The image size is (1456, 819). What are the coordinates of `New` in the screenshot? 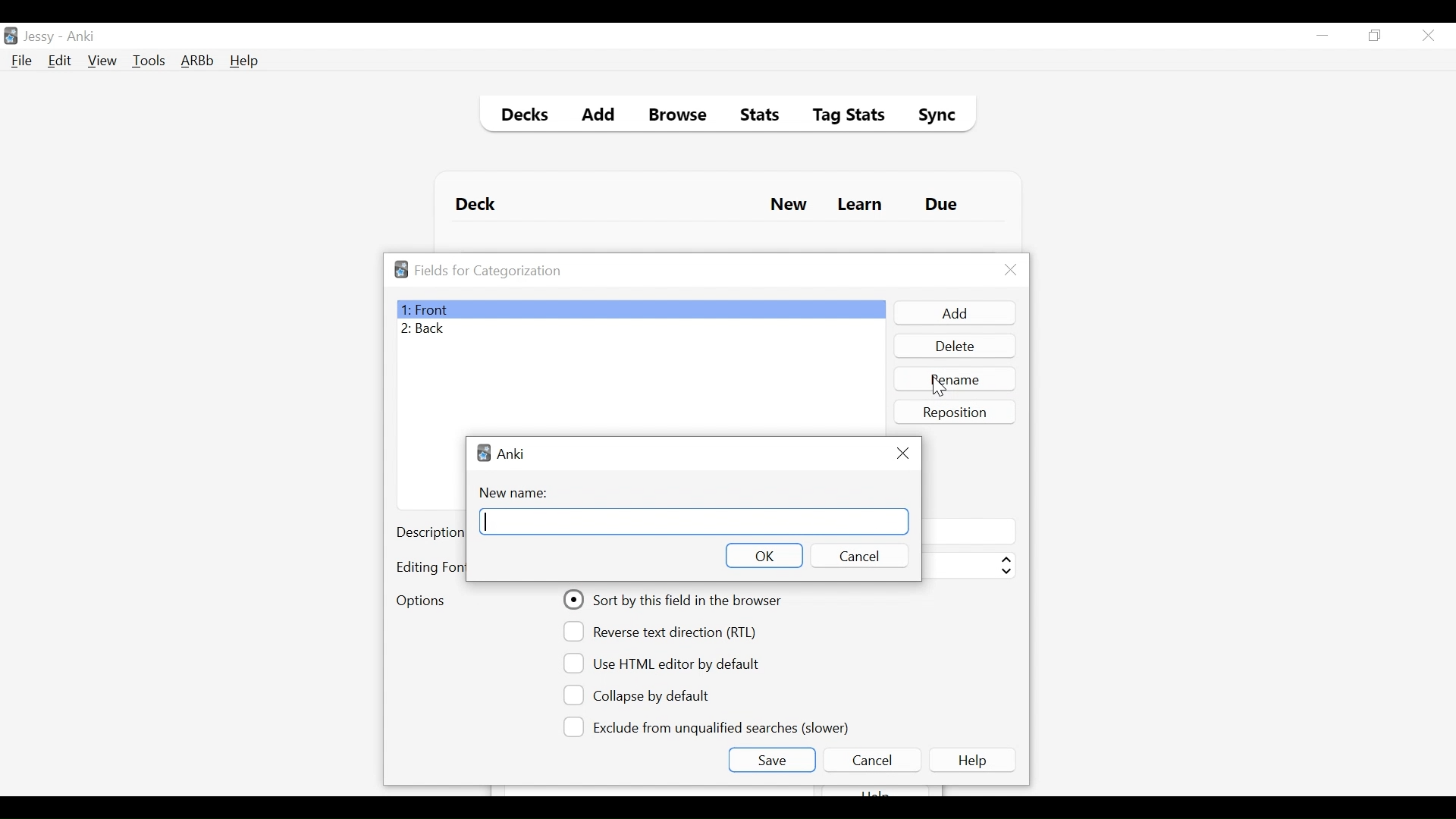 It's located at (789, 206).